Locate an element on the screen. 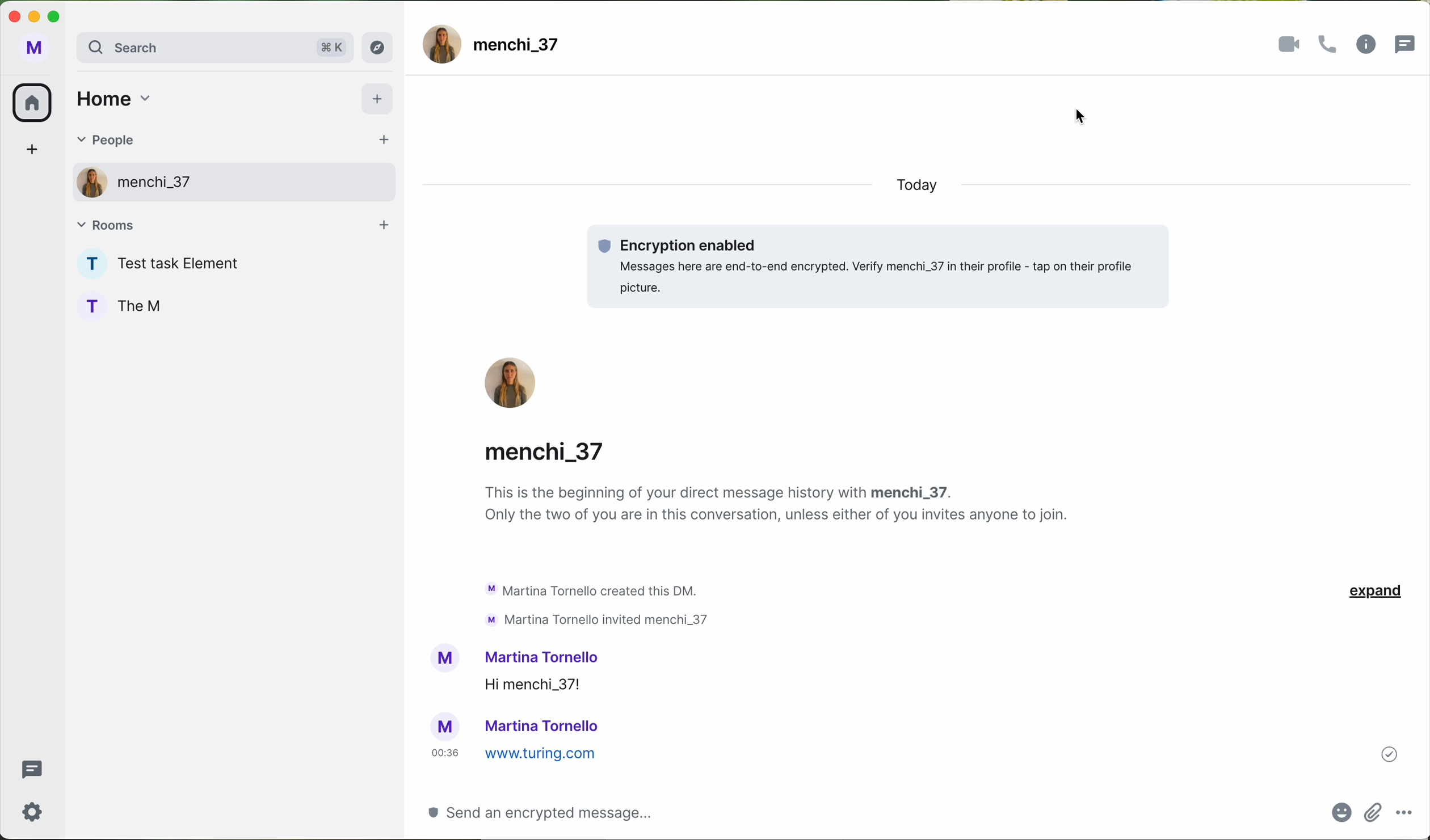 The height and width of the screenshot is (840, 1430). The M is located at coordinates (146, 305).